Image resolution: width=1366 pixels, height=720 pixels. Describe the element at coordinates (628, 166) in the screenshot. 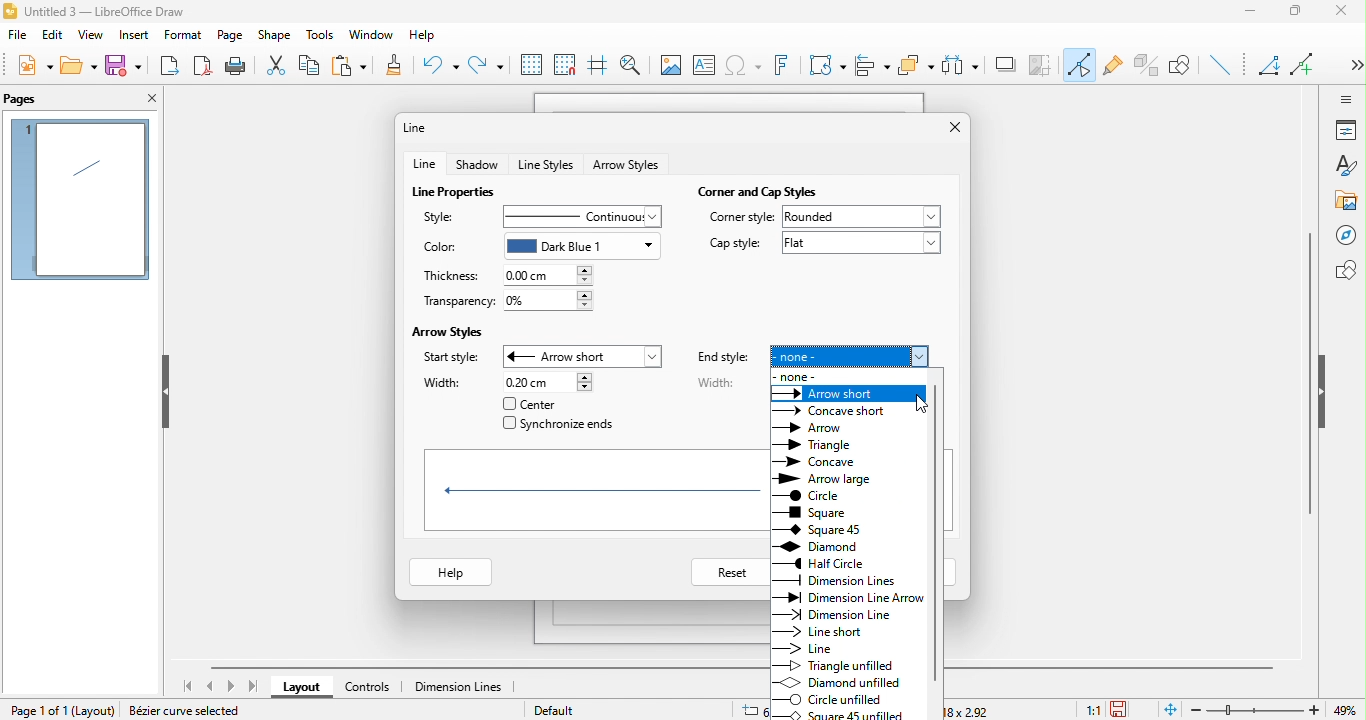

I see `arrow style` at that location.